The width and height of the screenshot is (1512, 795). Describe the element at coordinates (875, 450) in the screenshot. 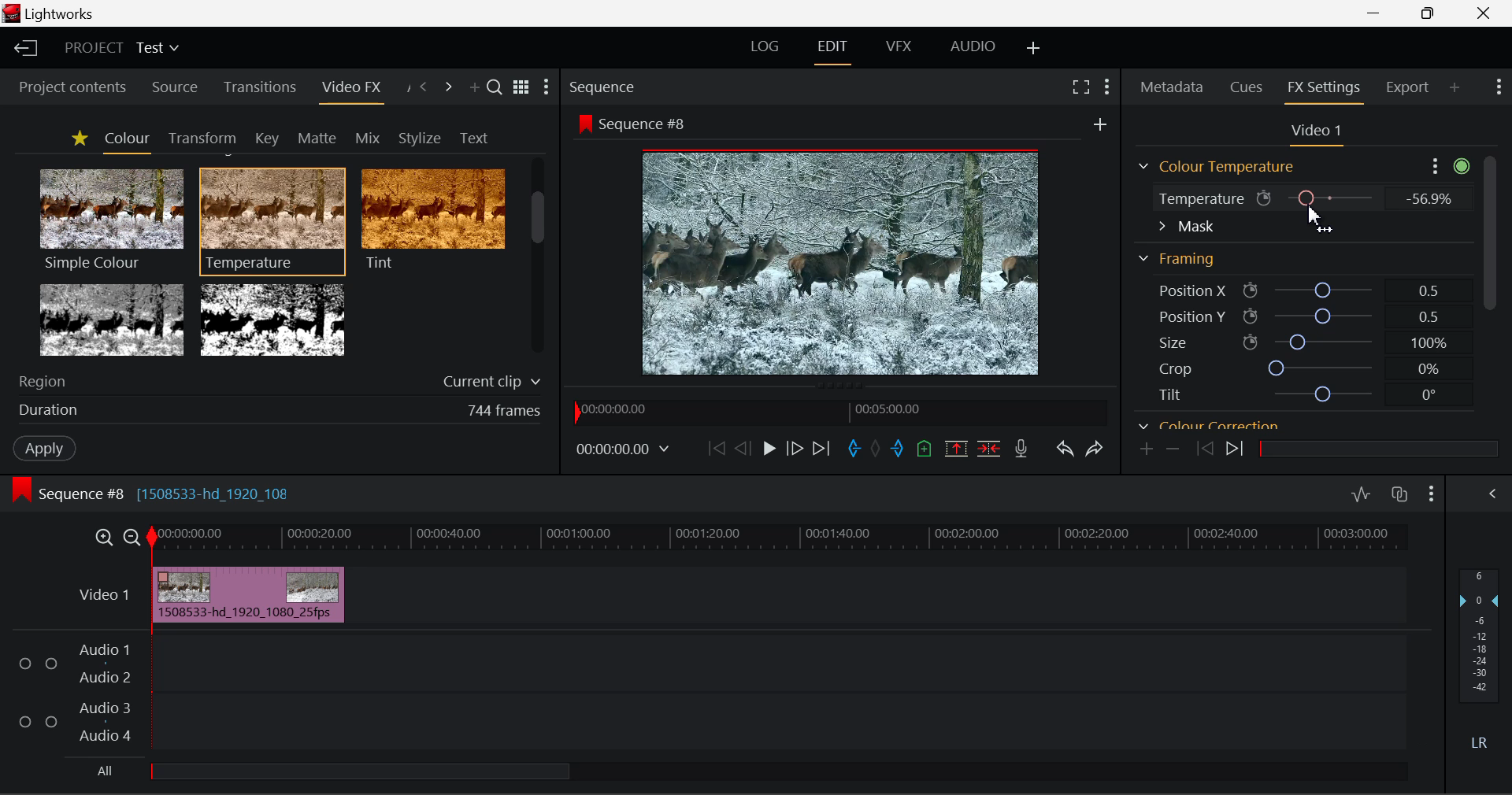

I see `Remove all marks` at that location.